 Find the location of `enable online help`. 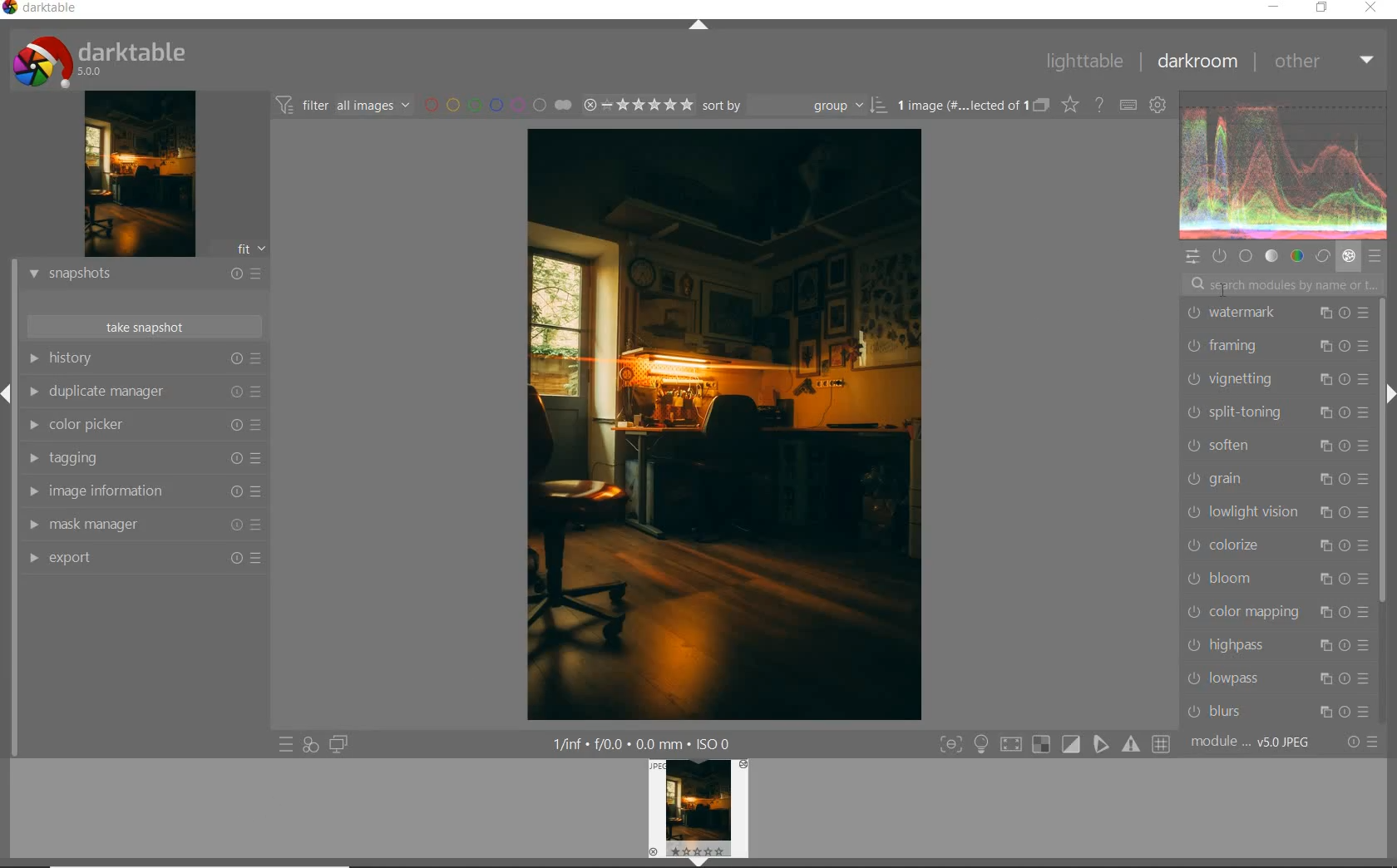

enable online help is located at coordinates (1099, 106).